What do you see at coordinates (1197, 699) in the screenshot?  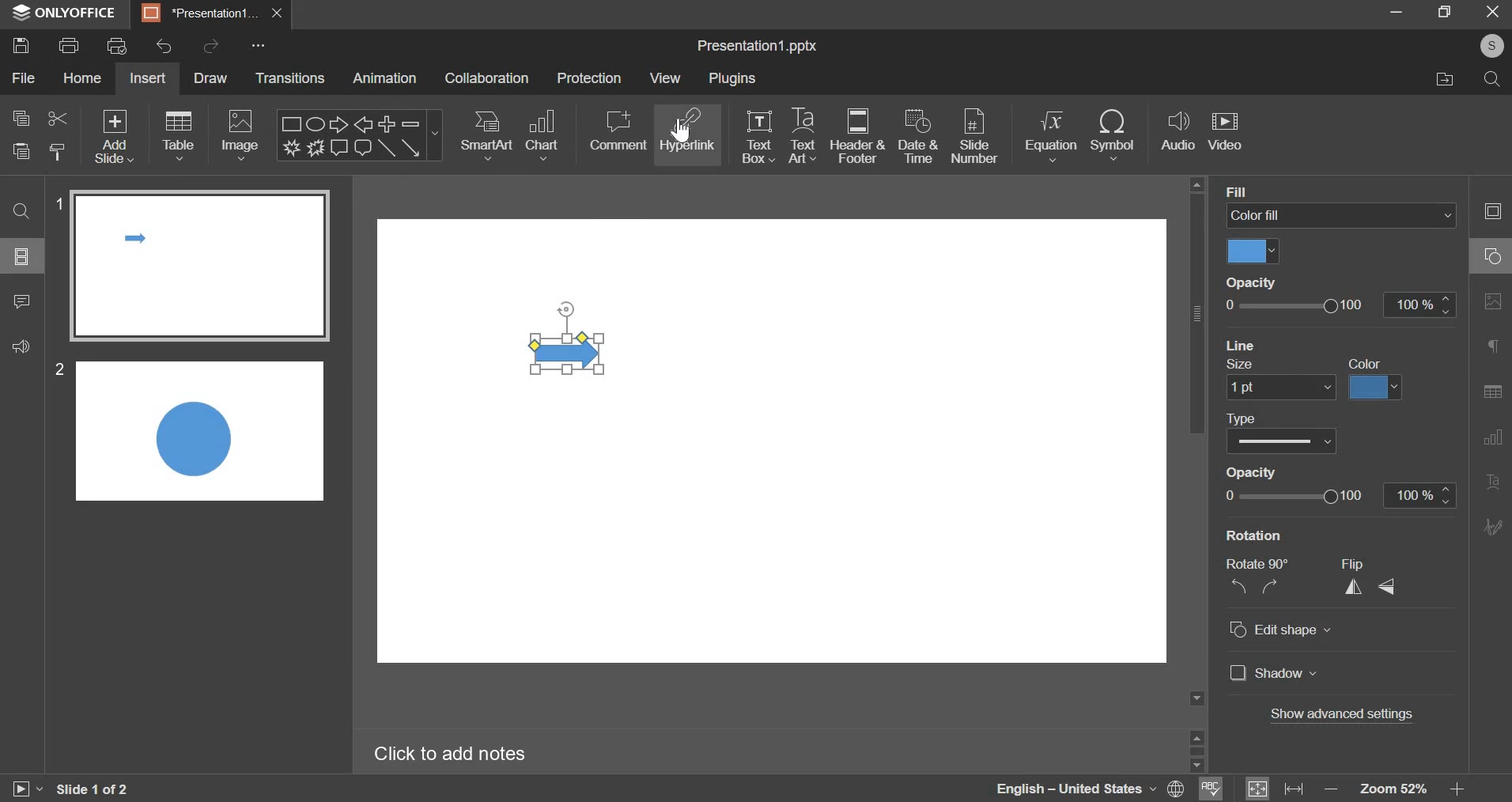 I see `scroll down` at bounding box center [1197, 699].